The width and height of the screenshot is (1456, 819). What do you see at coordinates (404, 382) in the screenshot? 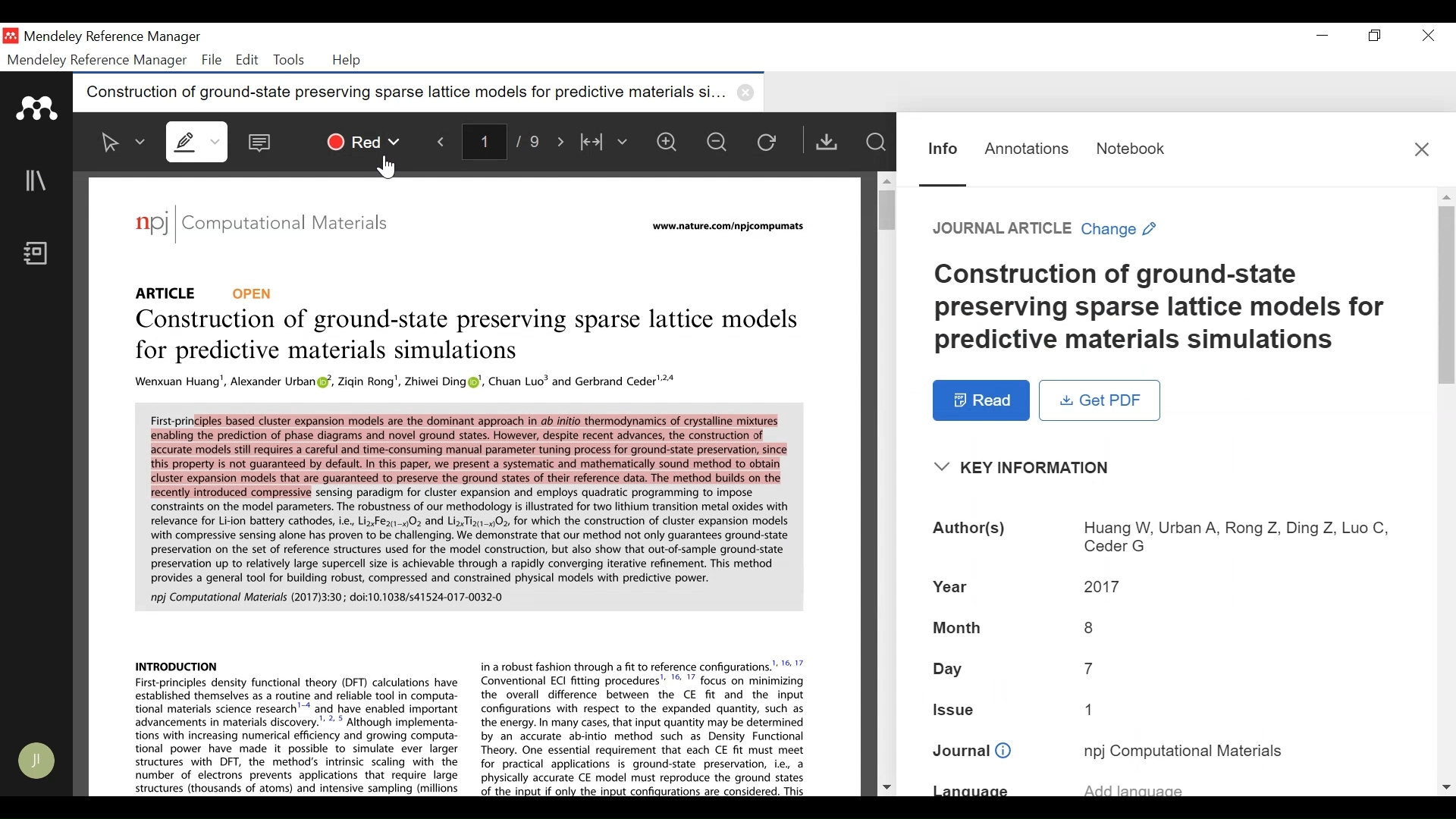
I see `Wenxuan Huang', Alexander Urban (¥, Zigin Rong’, Zhiwei Ding ®', Chuan Luo® and Gerbrand Ceder'**` at bounding box center [404, 382].